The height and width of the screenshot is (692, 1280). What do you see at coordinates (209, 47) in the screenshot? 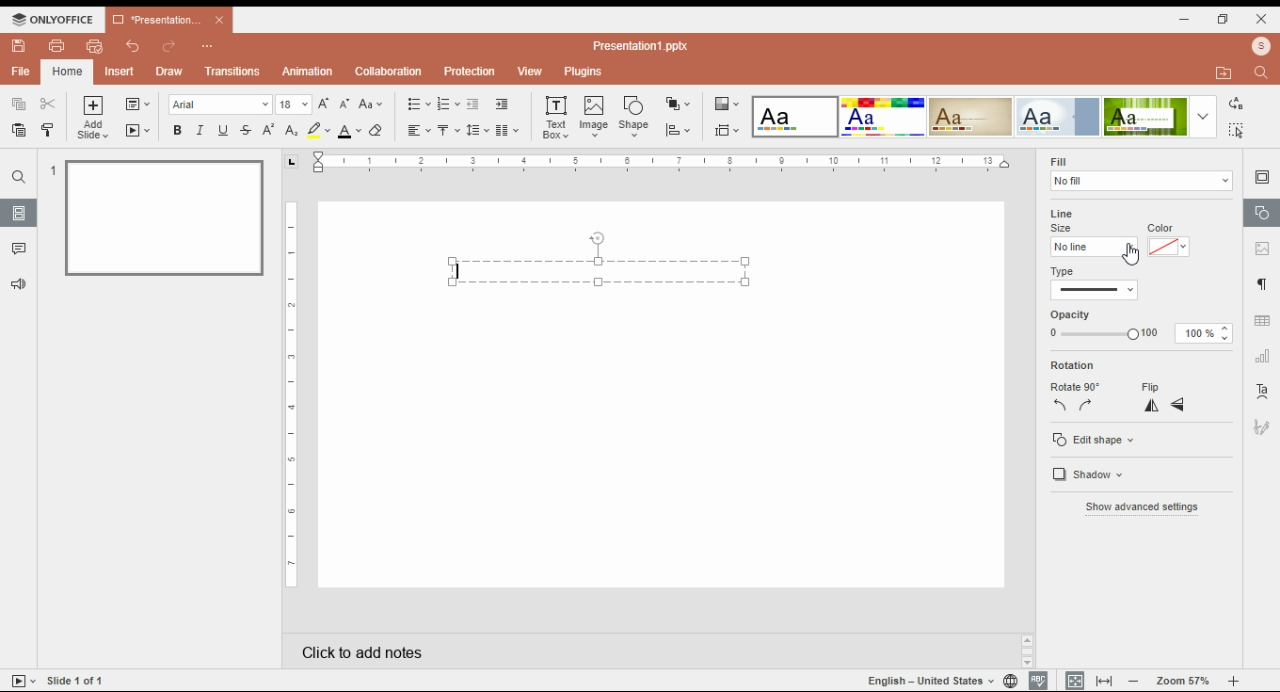
I see `customize quick access` at bounding box center [209, 47].